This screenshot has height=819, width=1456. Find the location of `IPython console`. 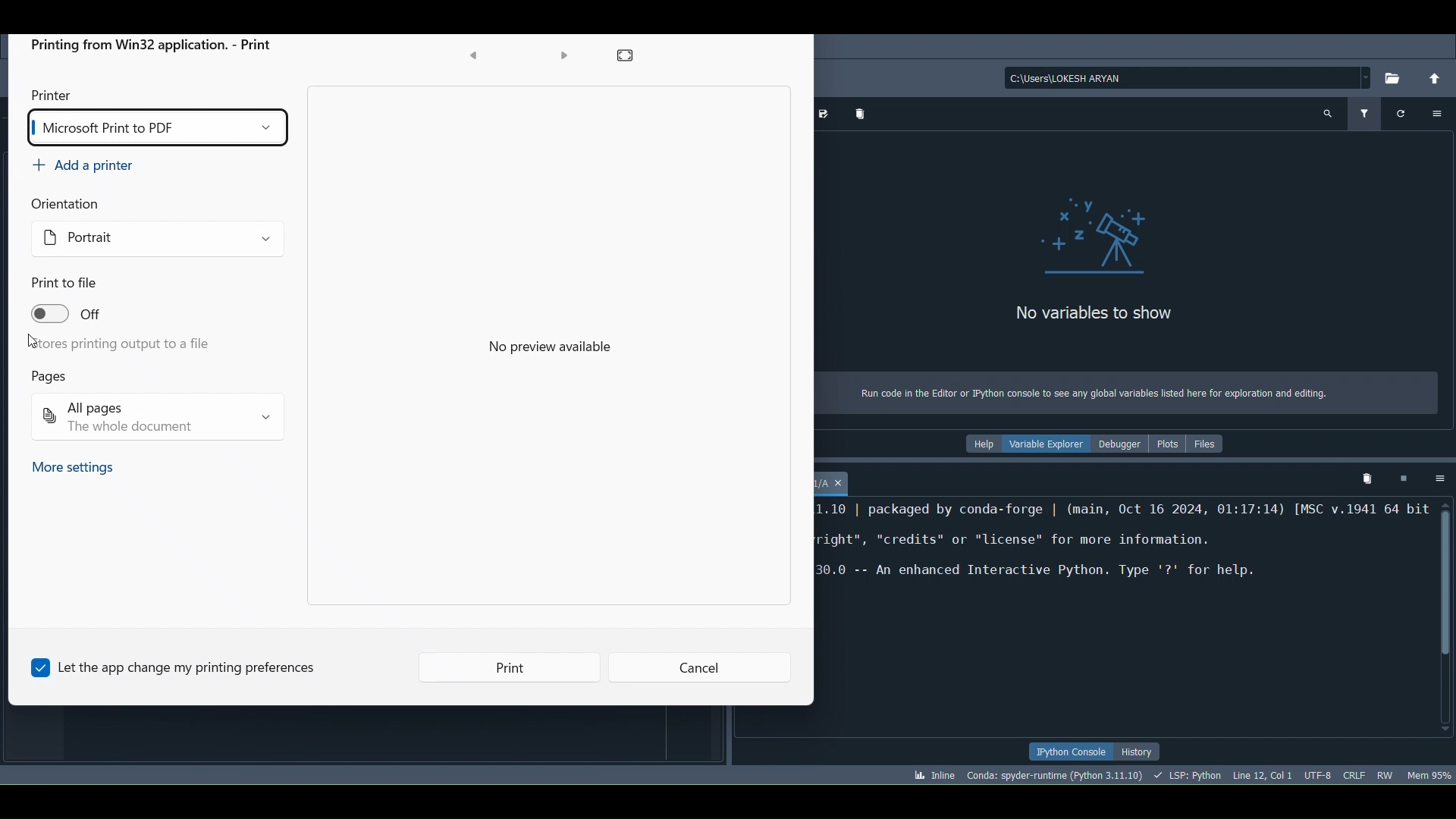

IPython console is located at coordinates (1065, 752).